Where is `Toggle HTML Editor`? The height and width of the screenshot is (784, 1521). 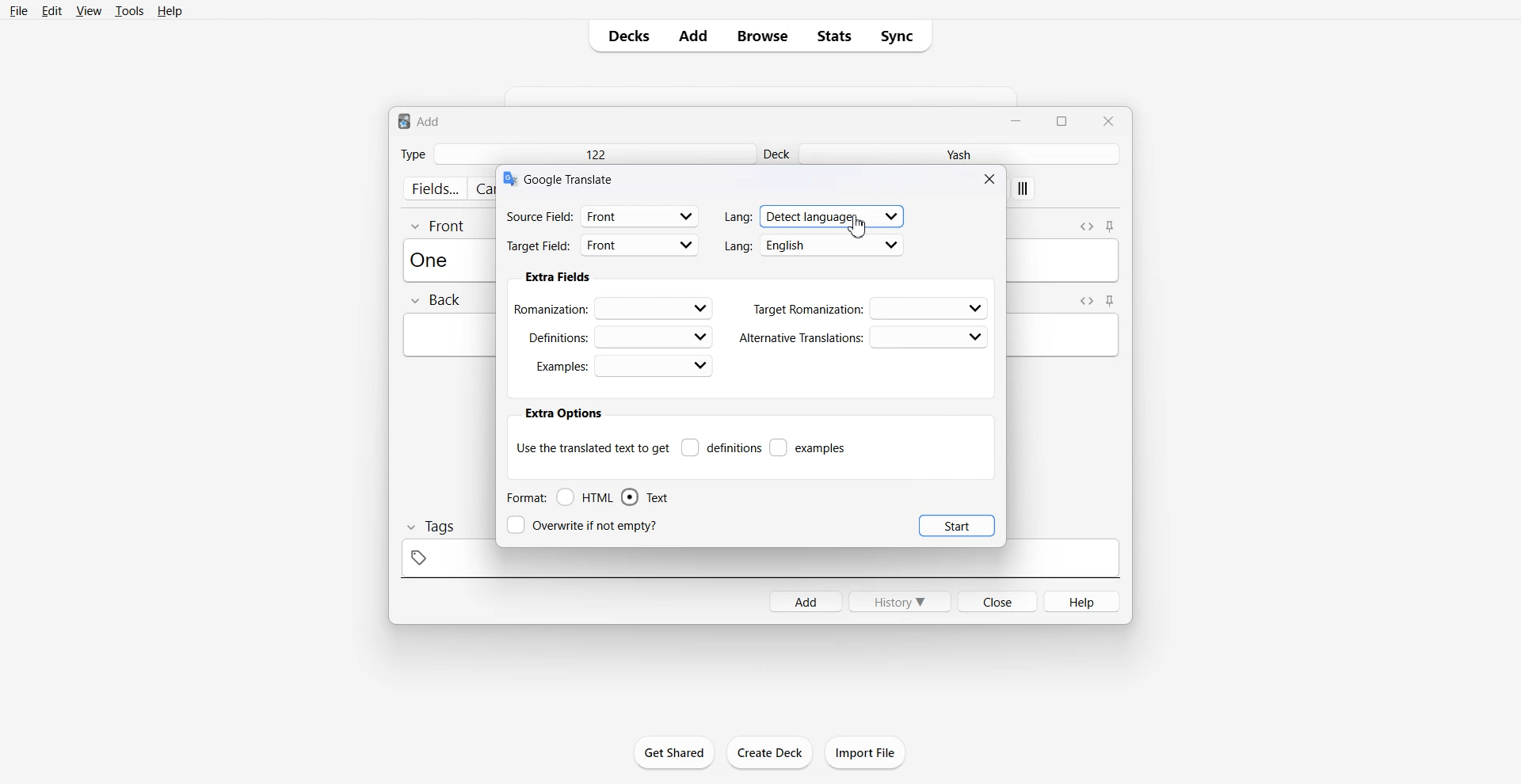
Toggle HTML Editor is located at coordinates (1086, 225).